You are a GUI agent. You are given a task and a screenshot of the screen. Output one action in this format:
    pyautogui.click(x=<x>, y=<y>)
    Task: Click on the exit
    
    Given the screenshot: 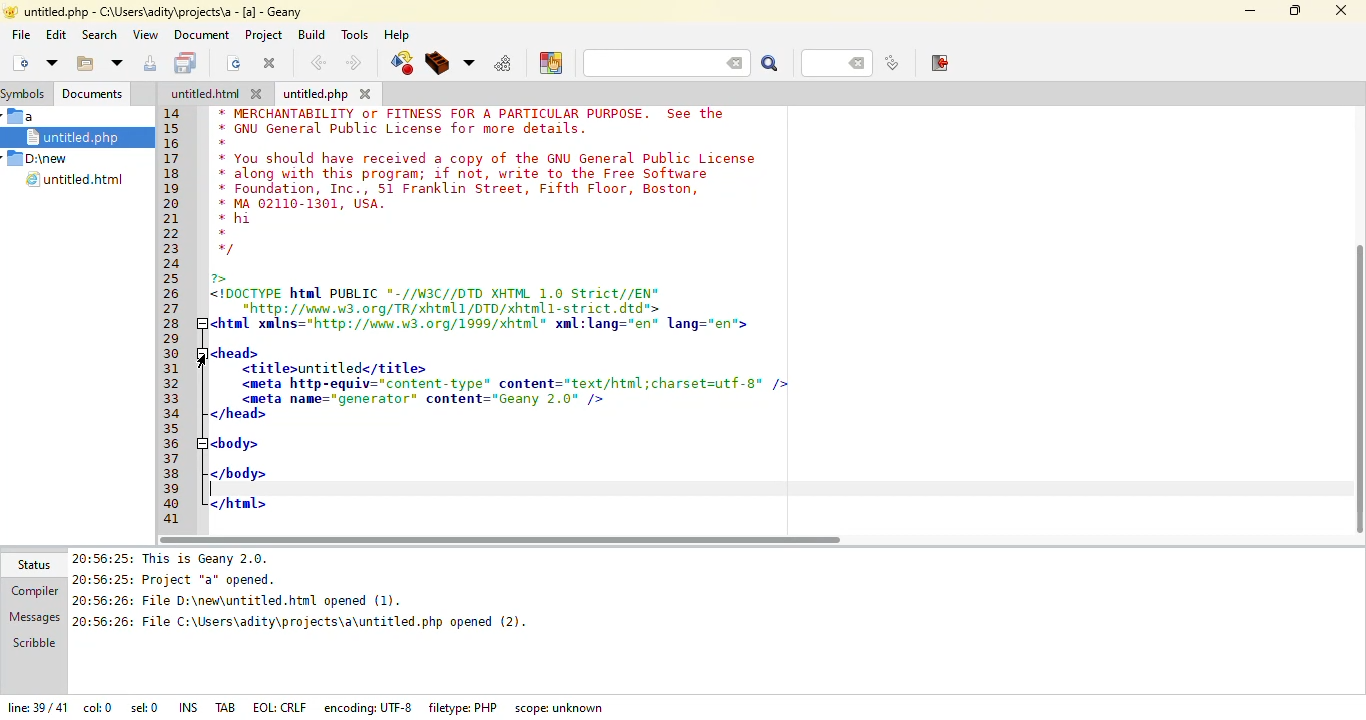 What is the action you would take?
    pyautogui.click(x=941, y=64)
    